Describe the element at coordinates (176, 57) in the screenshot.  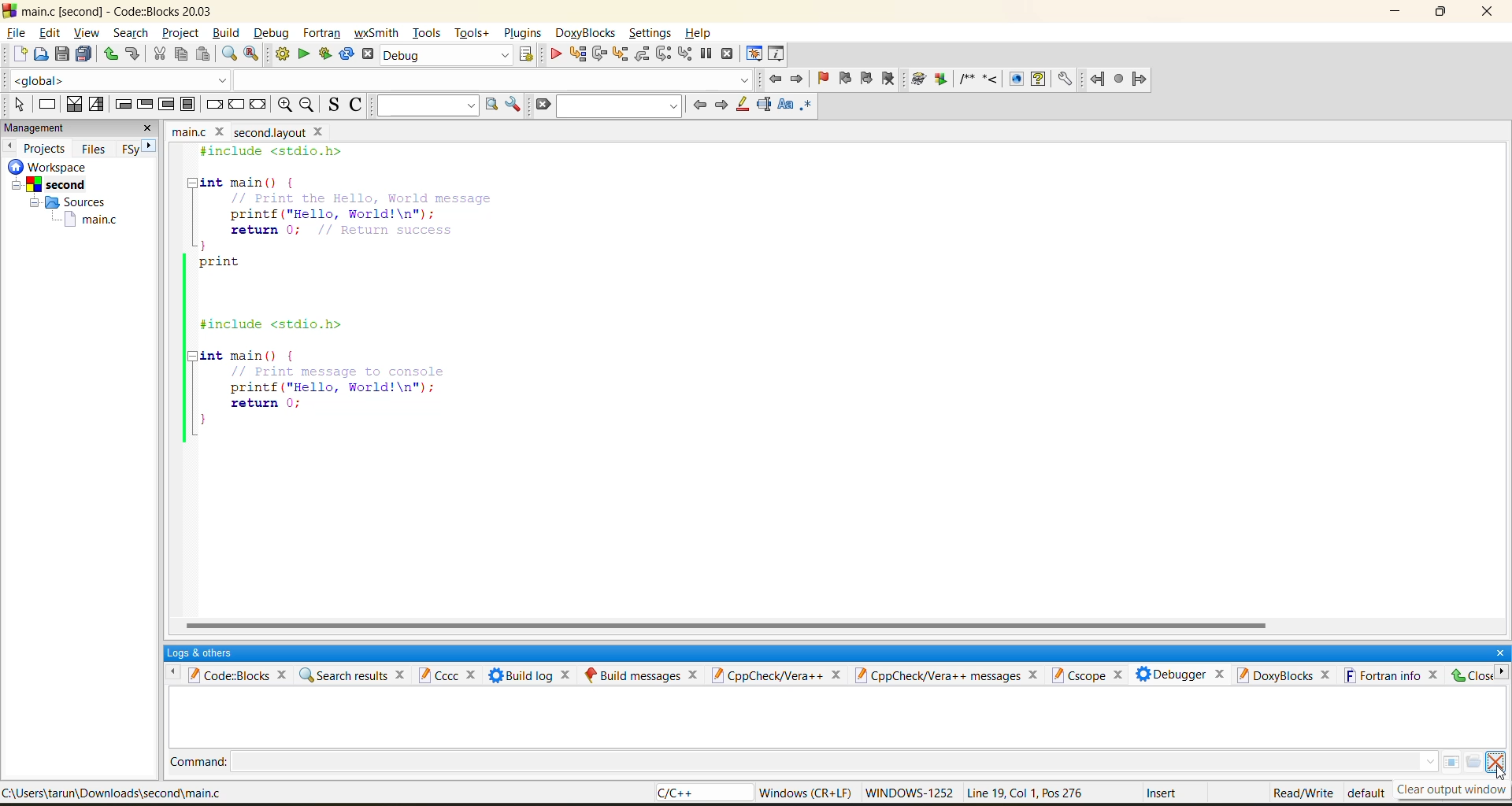
I see `copy` at that location.